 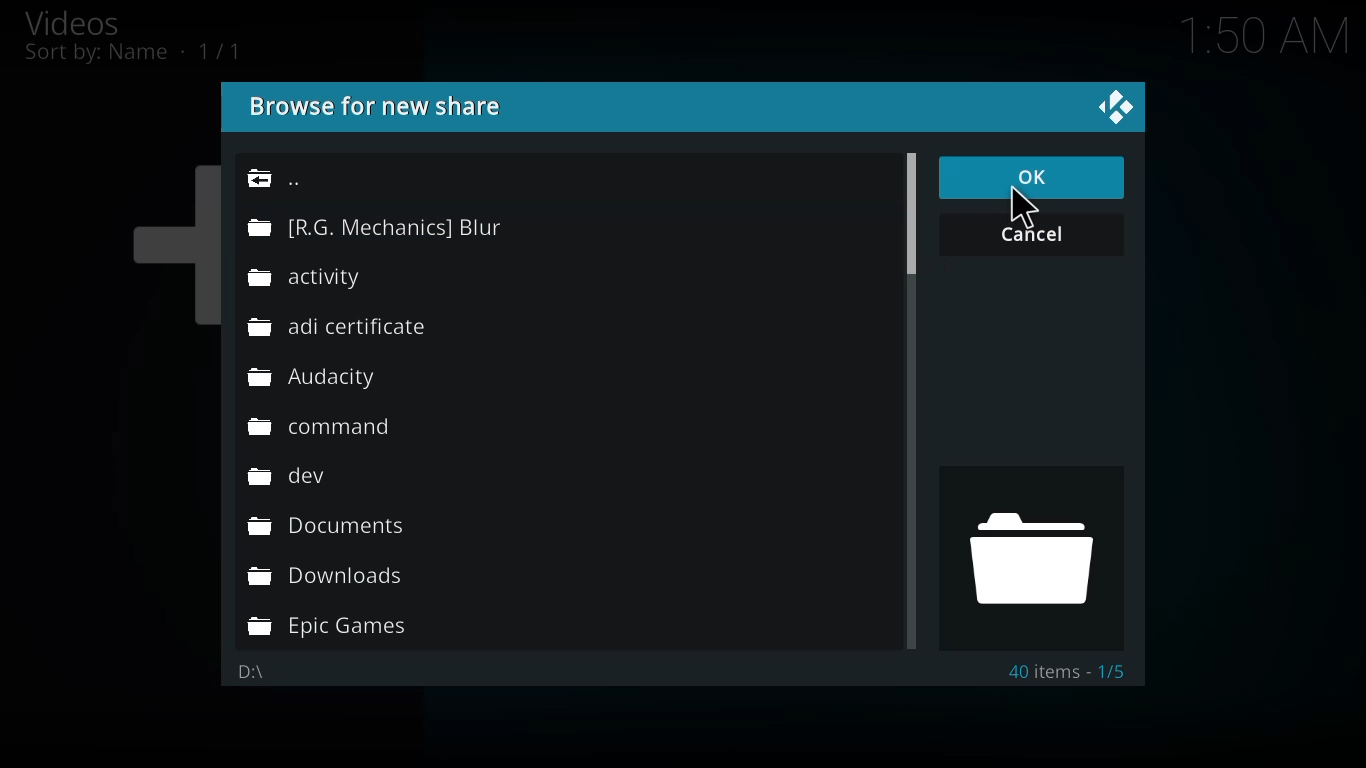 I want to click on folder, so click(x=309, y=376).